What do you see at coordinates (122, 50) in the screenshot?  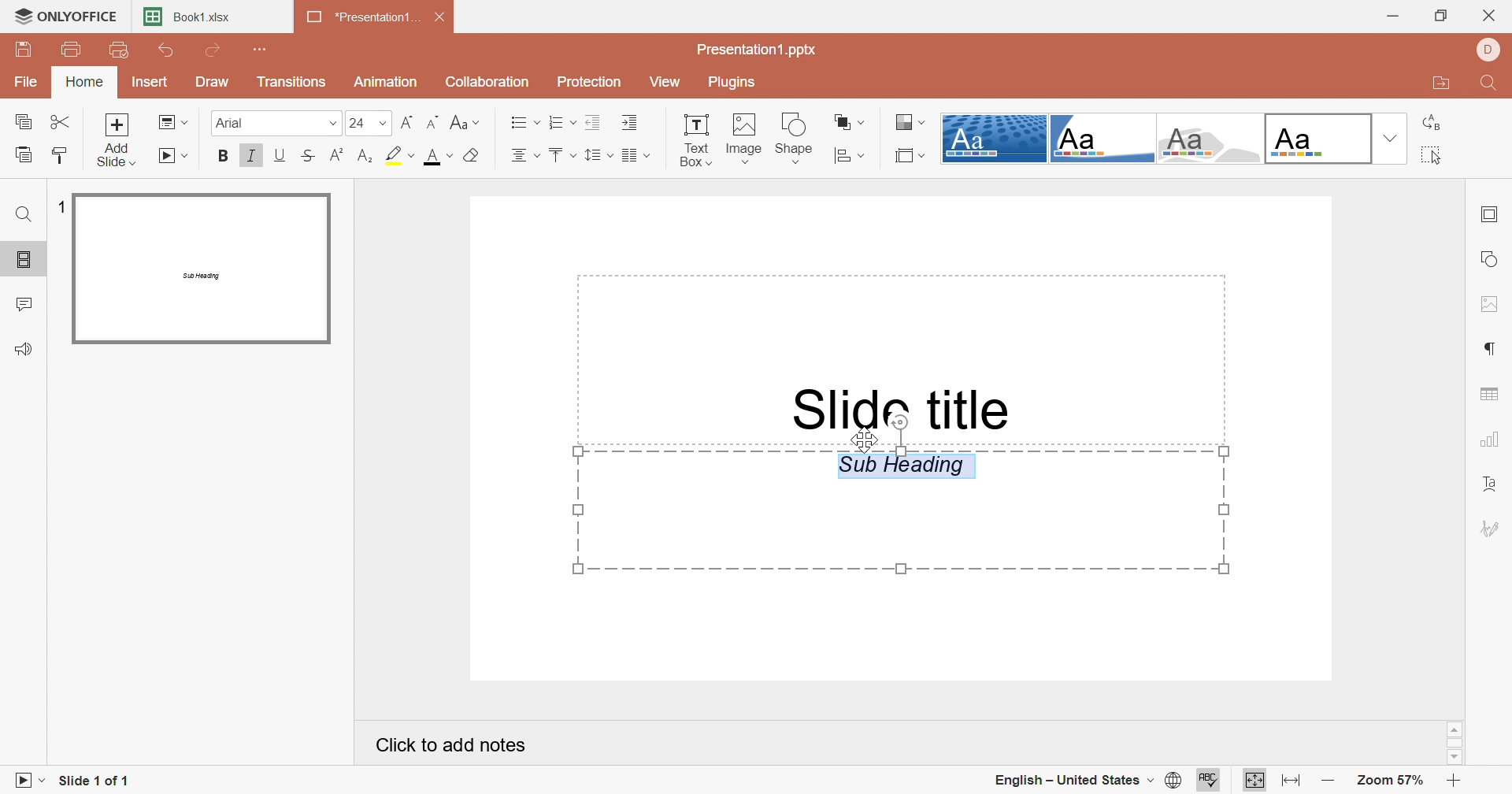 I see `Quick print` at bounding box center [122, 50].